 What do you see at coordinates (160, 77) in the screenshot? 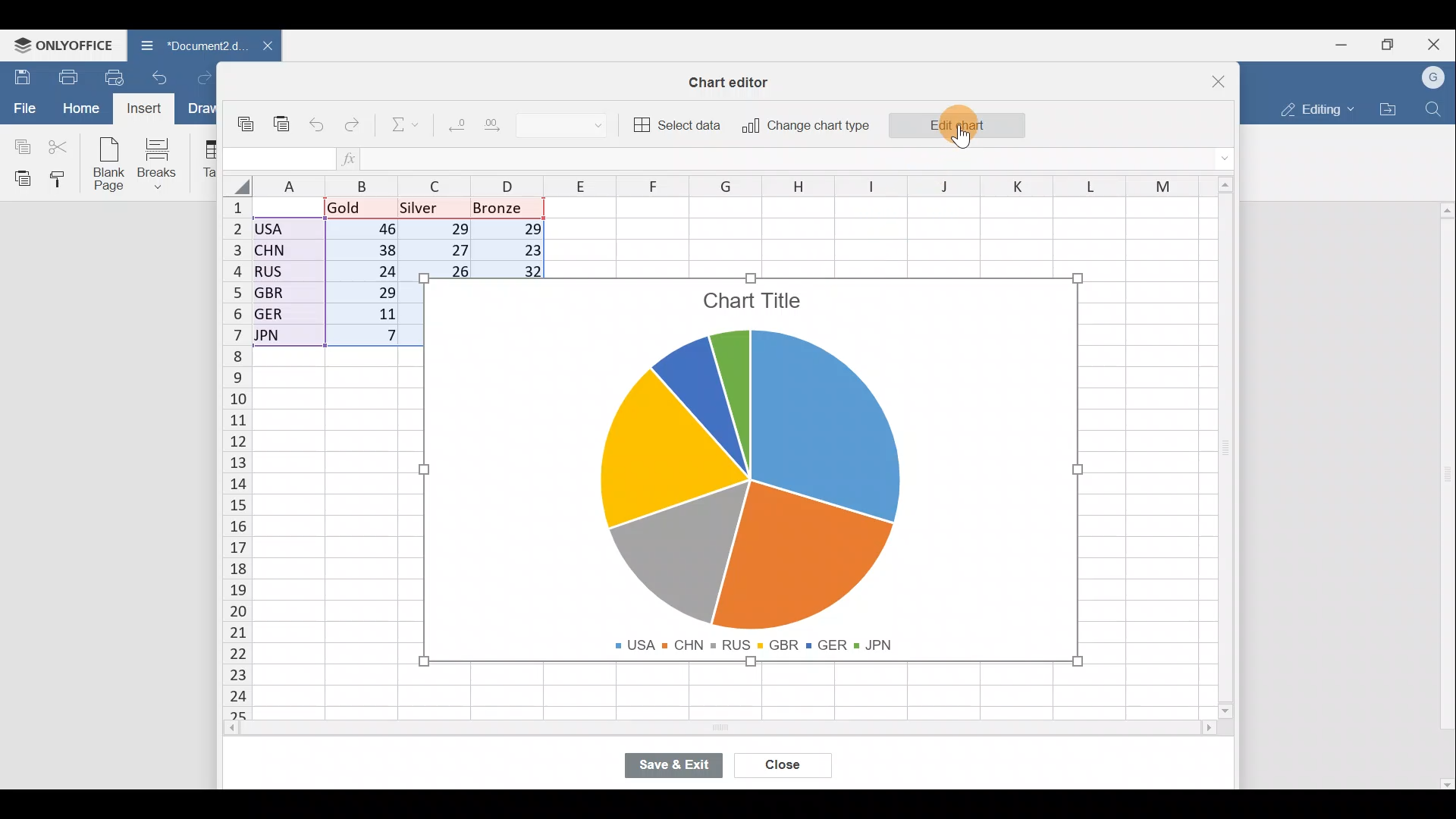
I see `Undo` at bounding box center [160, 77].